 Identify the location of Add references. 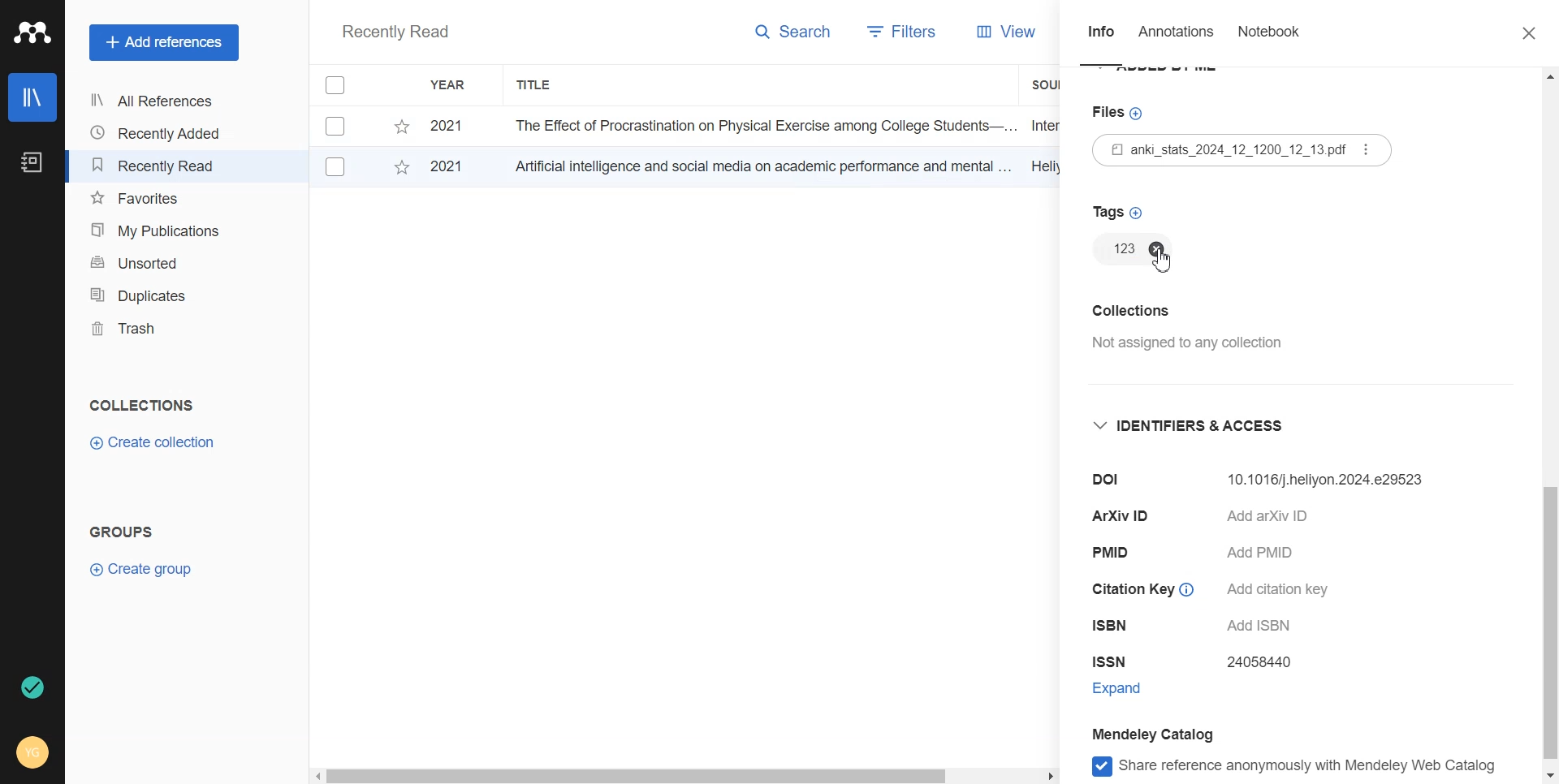
(164, 43).